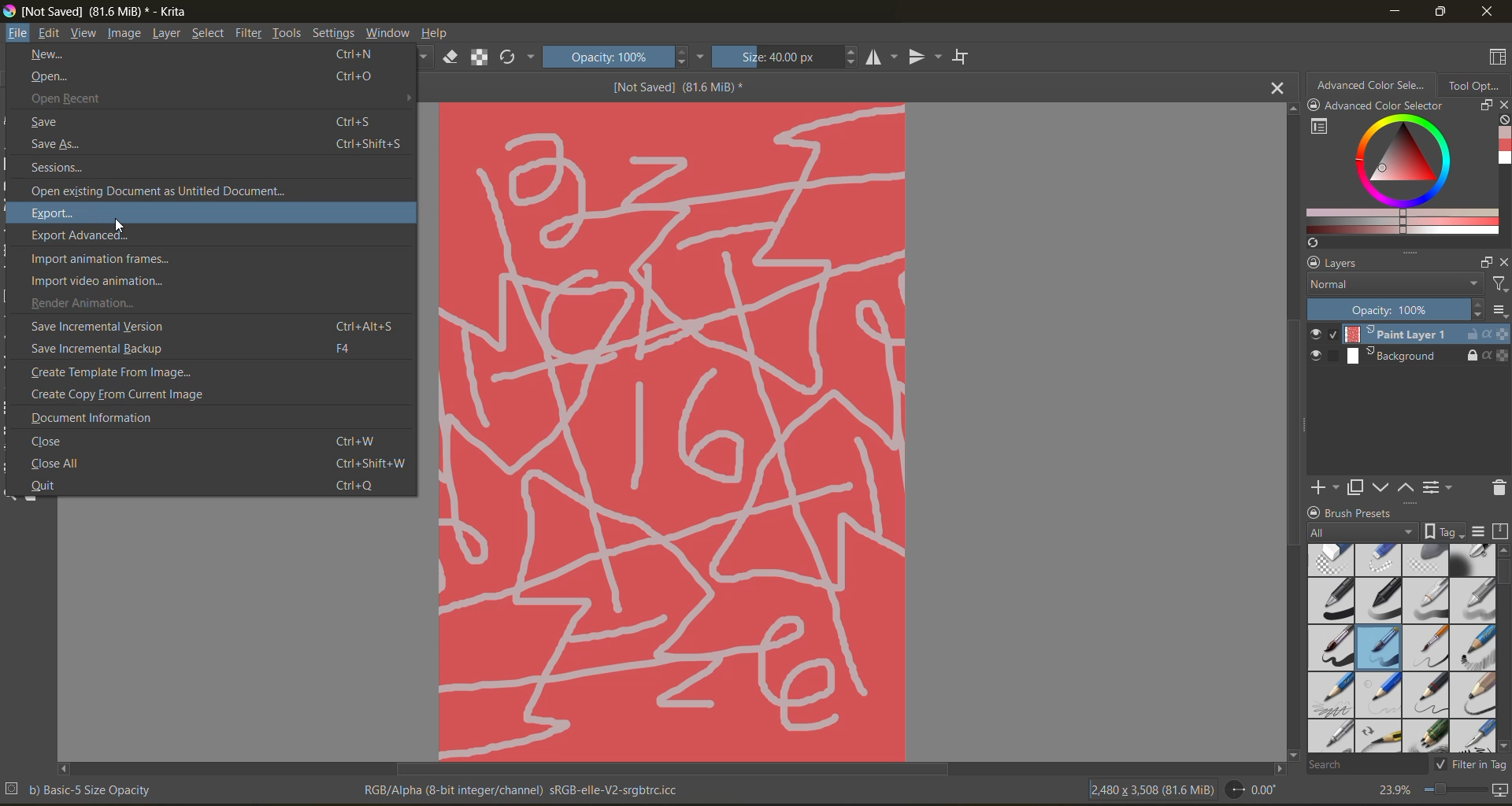 The width and height of the screenshot is (1512, 806). I want to click on layers, so click(1398, 264).